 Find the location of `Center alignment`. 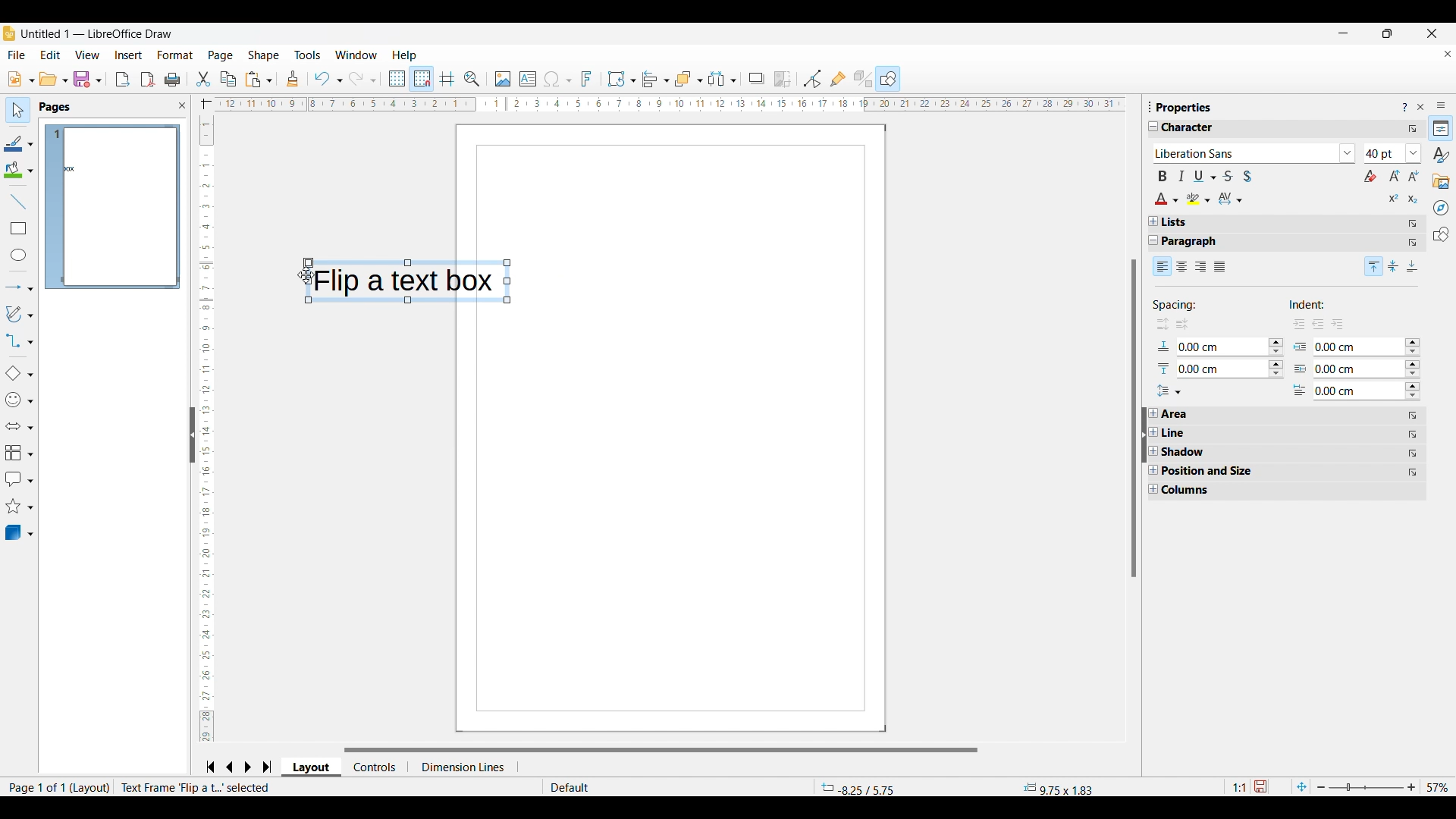

Center alignment is located at coordinates (1182, 267).